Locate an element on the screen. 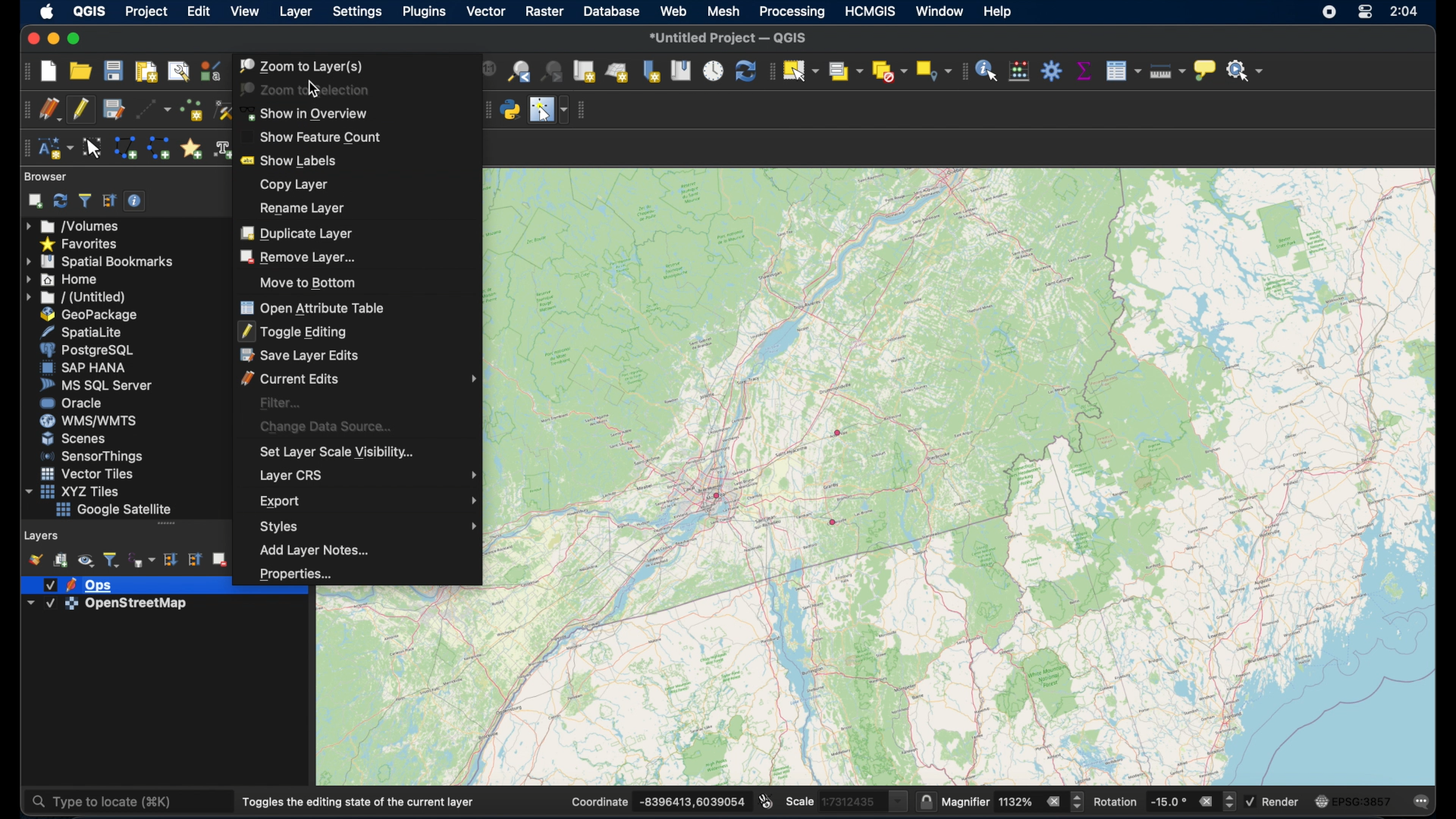 This screenshot has width=1456, height=819. window is located at coordinates (940, 11).